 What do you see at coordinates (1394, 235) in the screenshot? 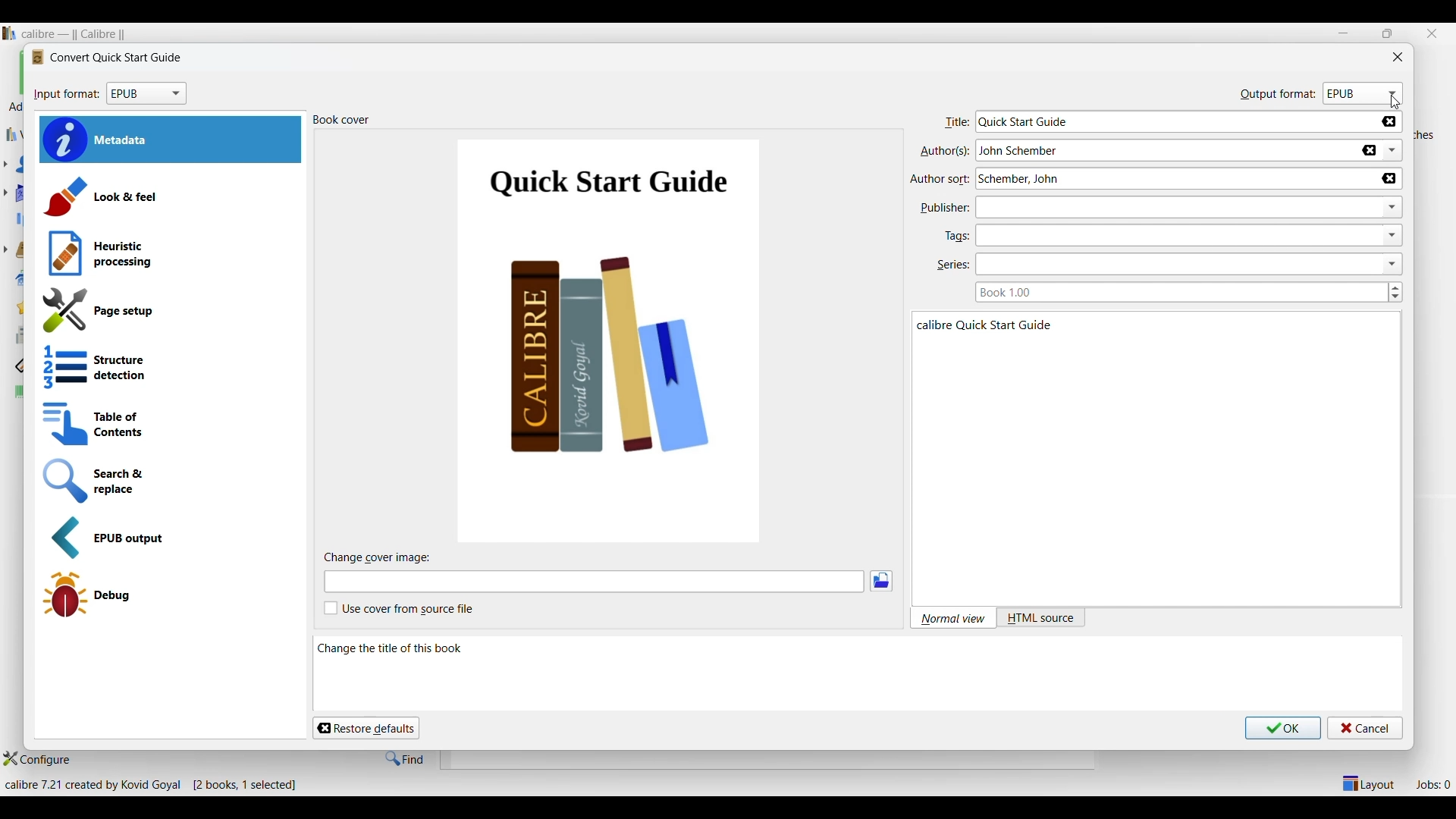
I see `dropdown` at bounding box center [1394, 235].